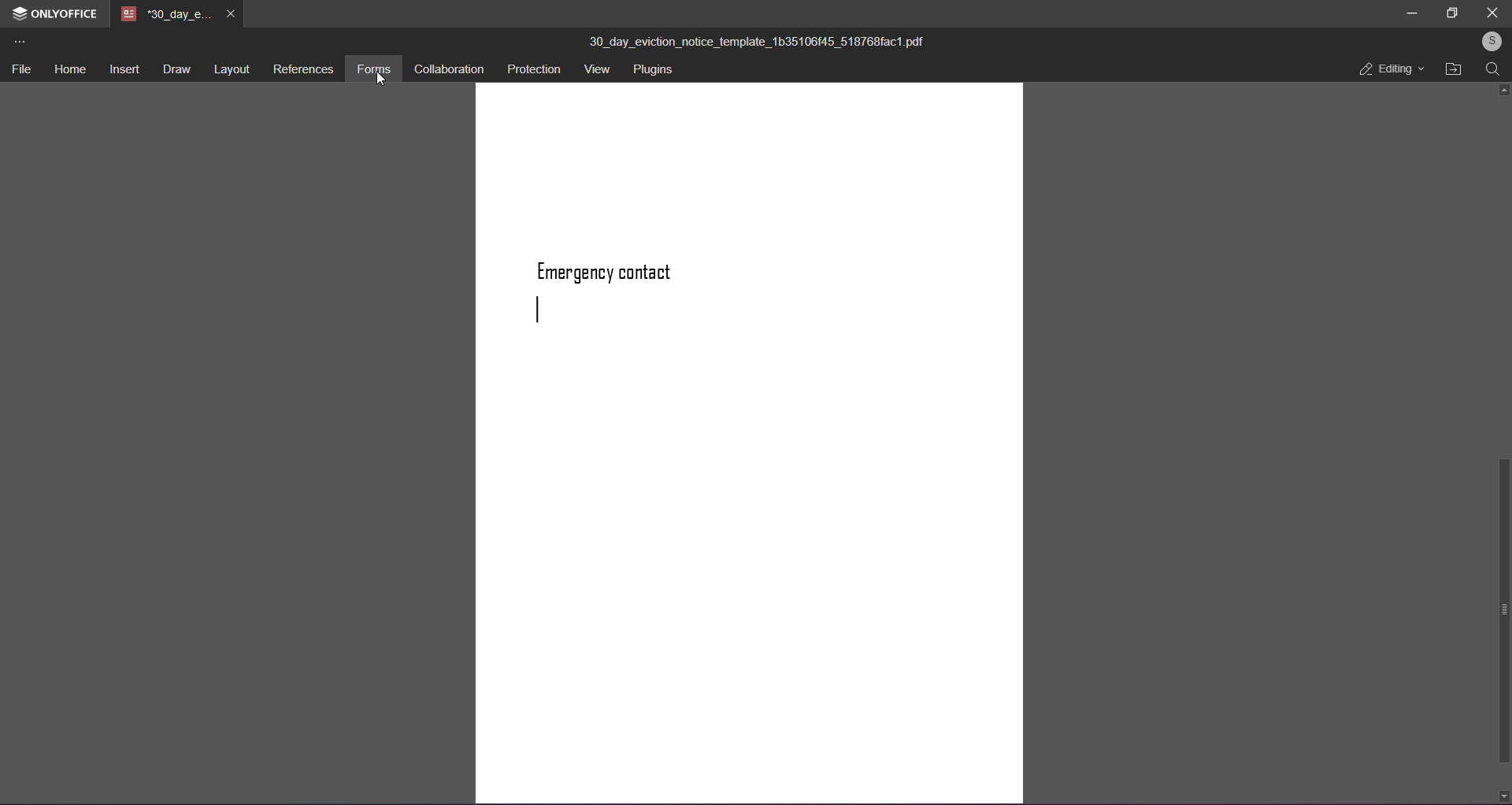 Image resolution: width=1512 pixels, height=805 pixels. Describe the element at coordinates (176, 72) in the screenshot. I see `draw` at that location.